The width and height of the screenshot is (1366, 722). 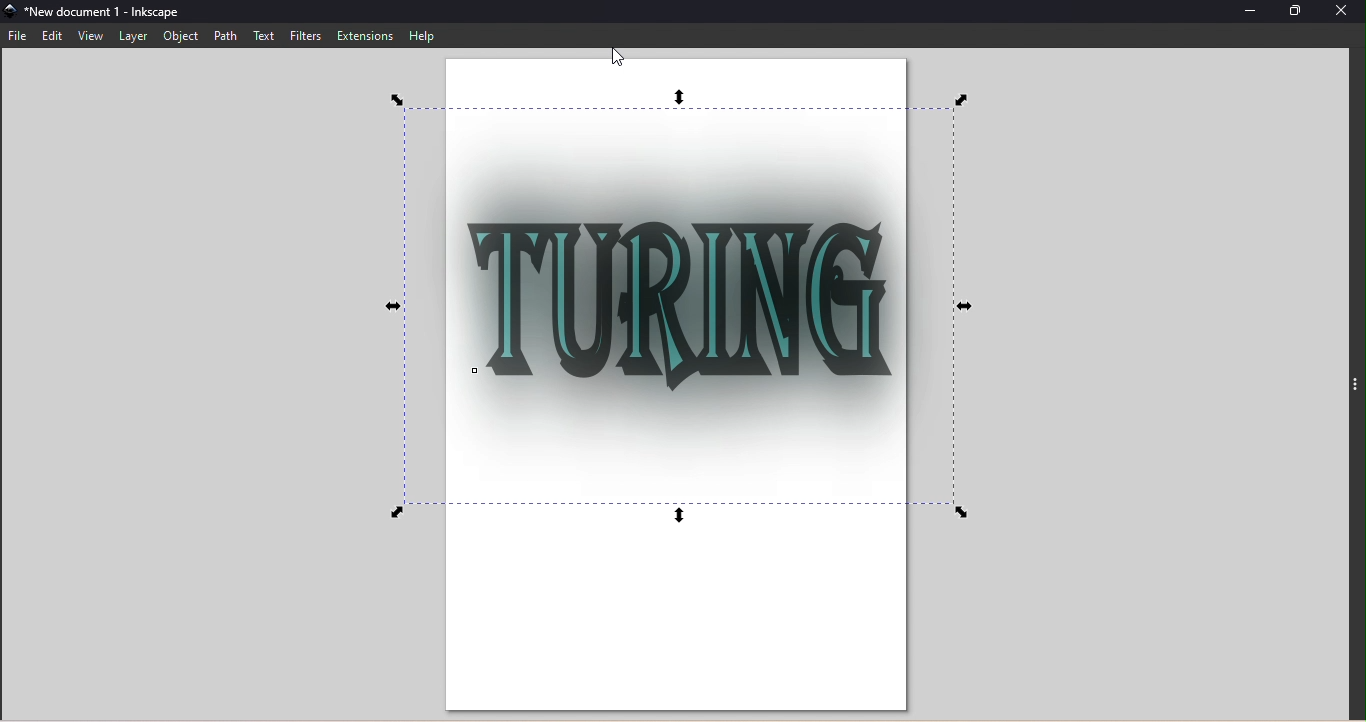 What do you see at coordinates (133, 36) in the screenshot?
I see `Layer` at bounding box center [133, 36].